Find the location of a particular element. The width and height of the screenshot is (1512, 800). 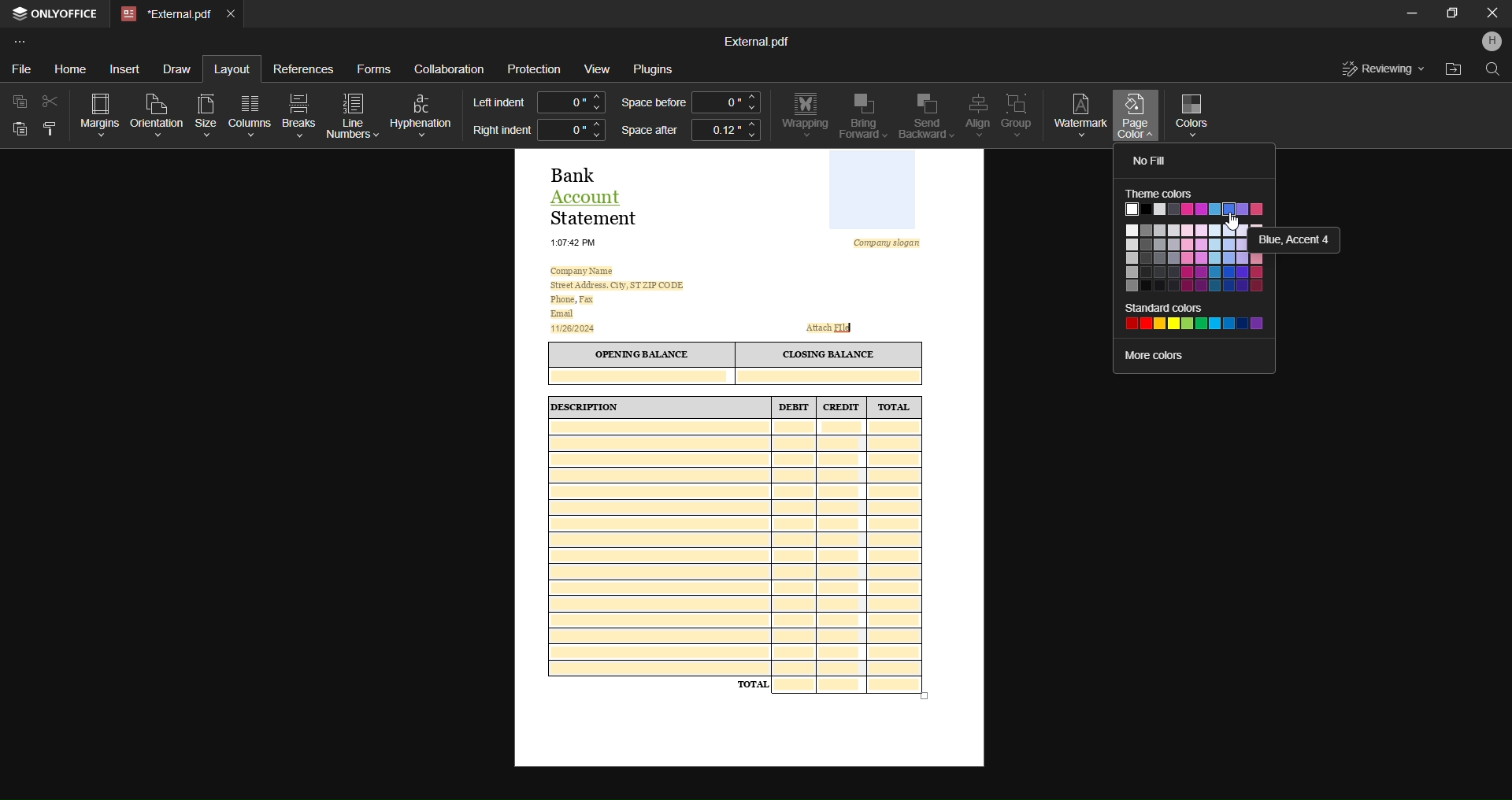

Space After is located at coordinates (648, 132).